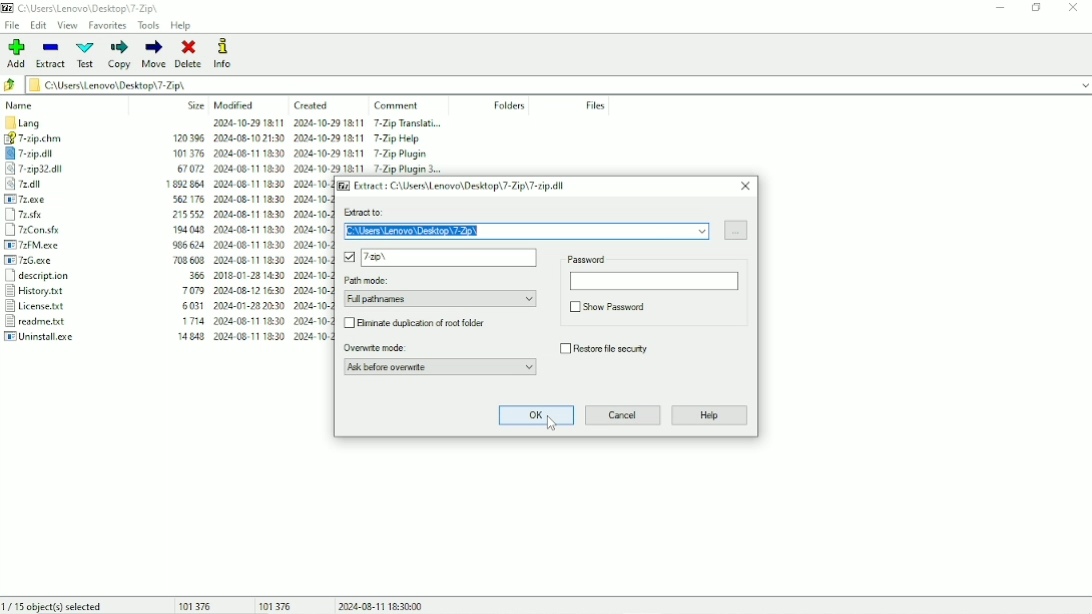 This screenshot has width=1092, height=614. What do you see at coordinates (243, 183) in the screenshot?
I see `1092064 2004.08 111830 2024-10-291811 7-Zip Engine` at bounding box center [243, 183].